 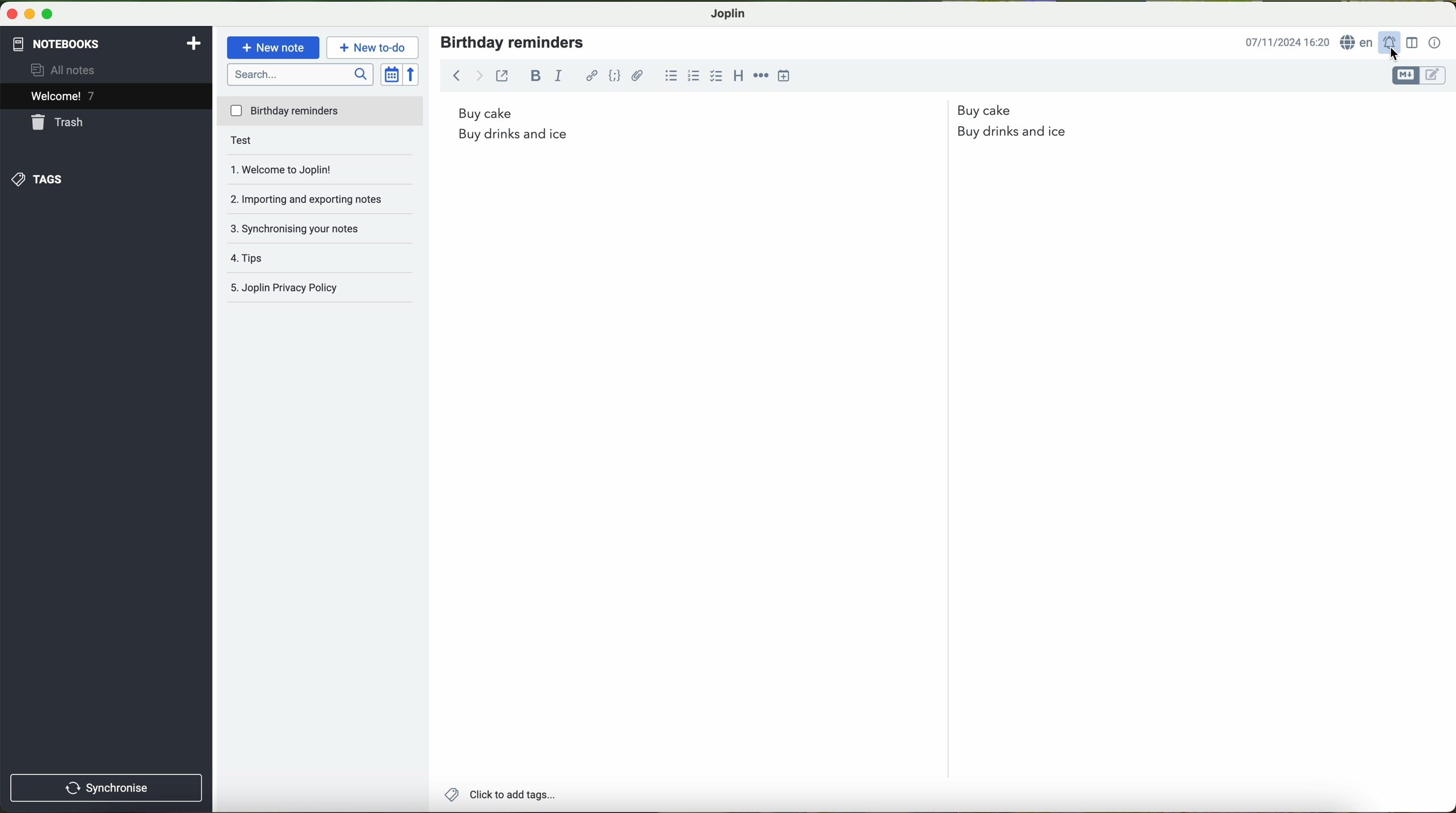 What do you see at coordinates (304, 227) in the screenshot?
I see `synchronising your notes` at bounding box center [304, 227].